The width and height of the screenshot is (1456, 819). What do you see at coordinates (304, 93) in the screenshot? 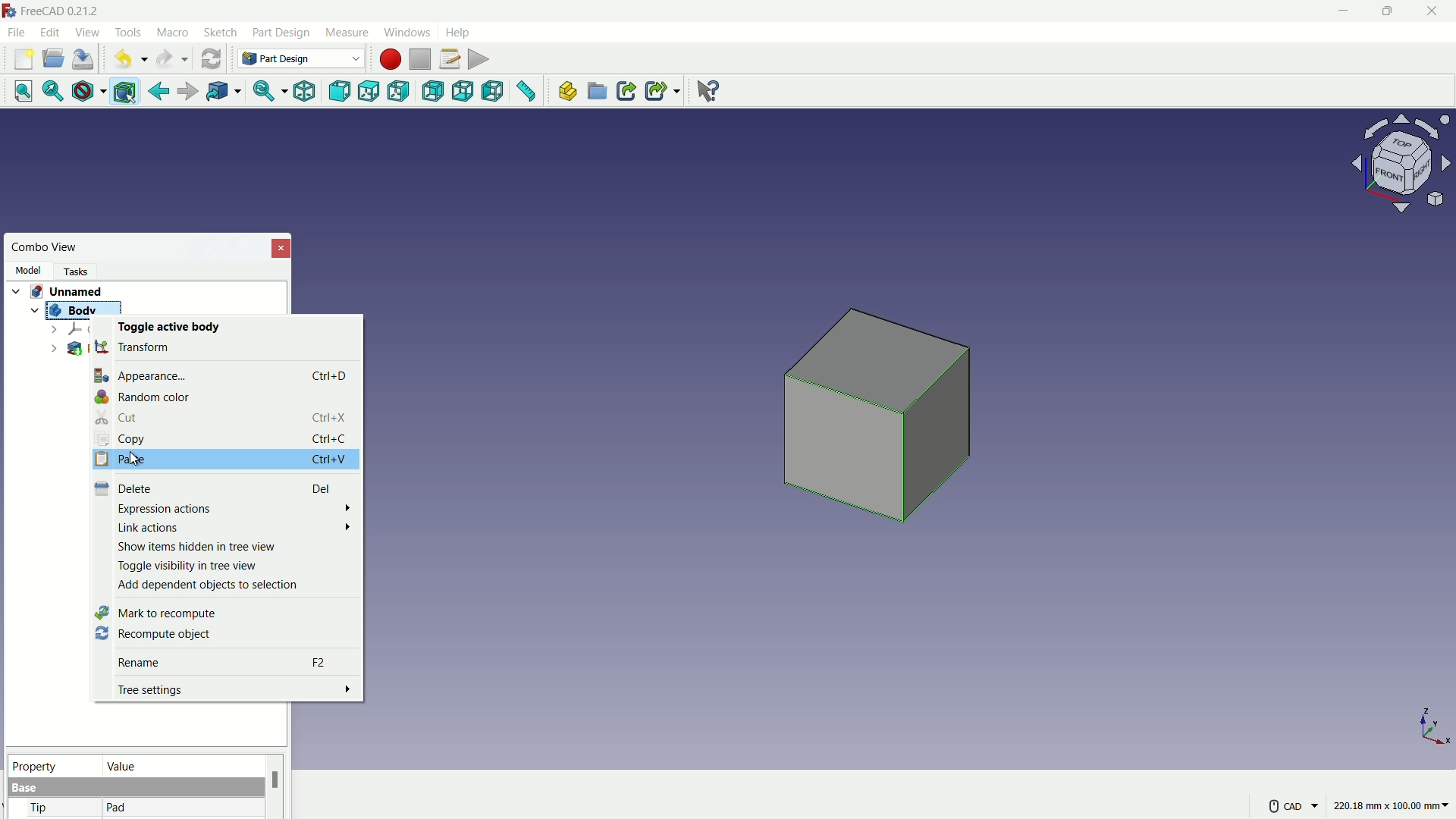
I see `isometric view` at bounding box center [304, 93].